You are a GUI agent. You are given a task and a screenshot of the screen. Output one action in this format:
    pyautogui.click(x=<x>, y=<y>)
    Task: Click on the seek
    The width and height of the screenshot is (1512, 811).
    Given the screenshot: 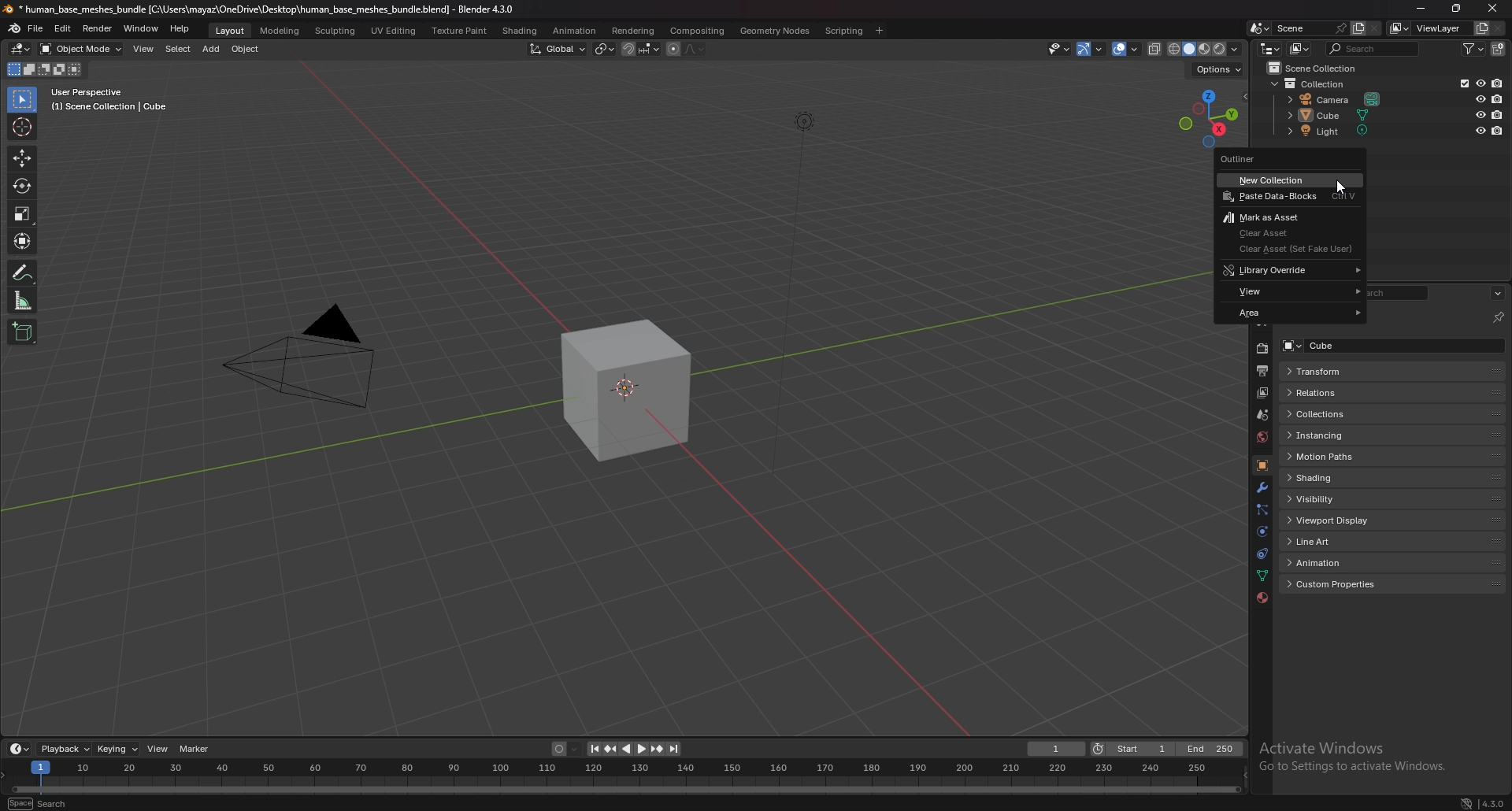 What is the action you would take?
    pyautogui.click(x=624, y=777)
    